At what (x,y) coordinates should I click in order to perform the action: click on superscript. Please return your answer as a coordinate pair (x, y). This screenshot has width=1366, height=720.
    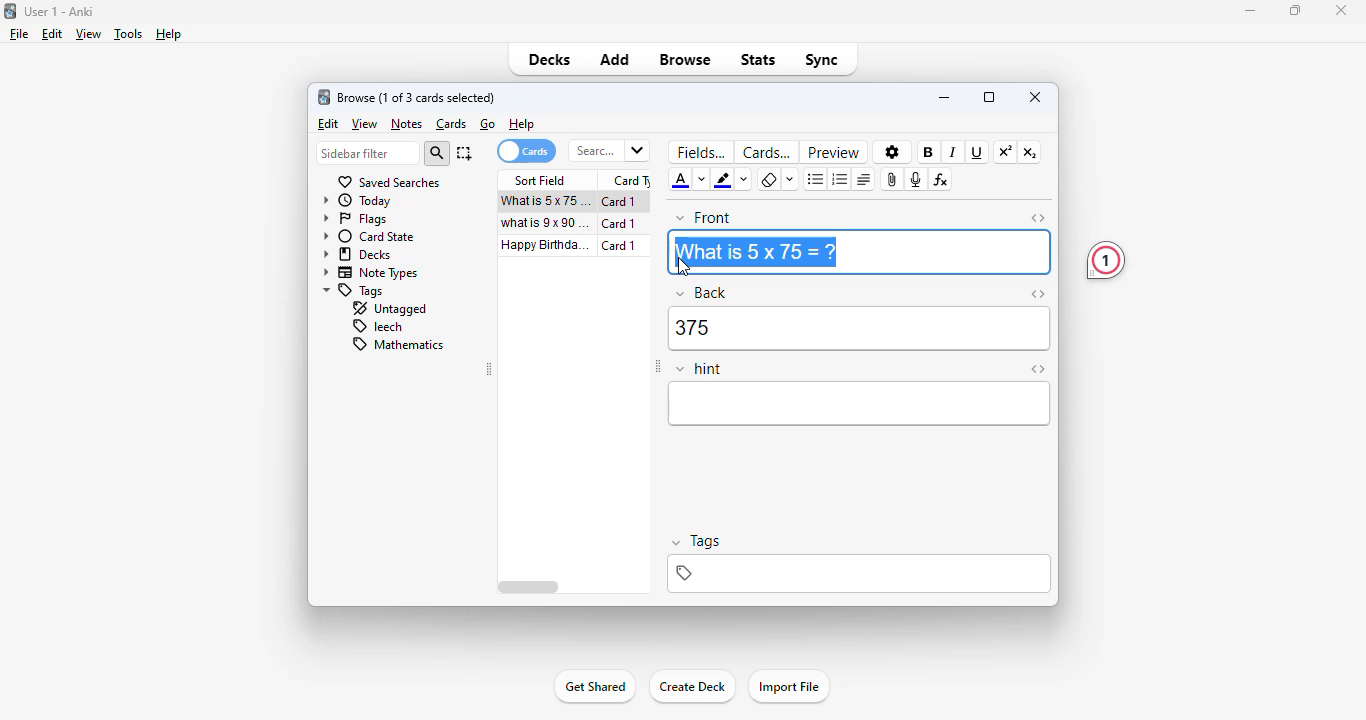
    Looking at the image, I should click on (1006, 152).